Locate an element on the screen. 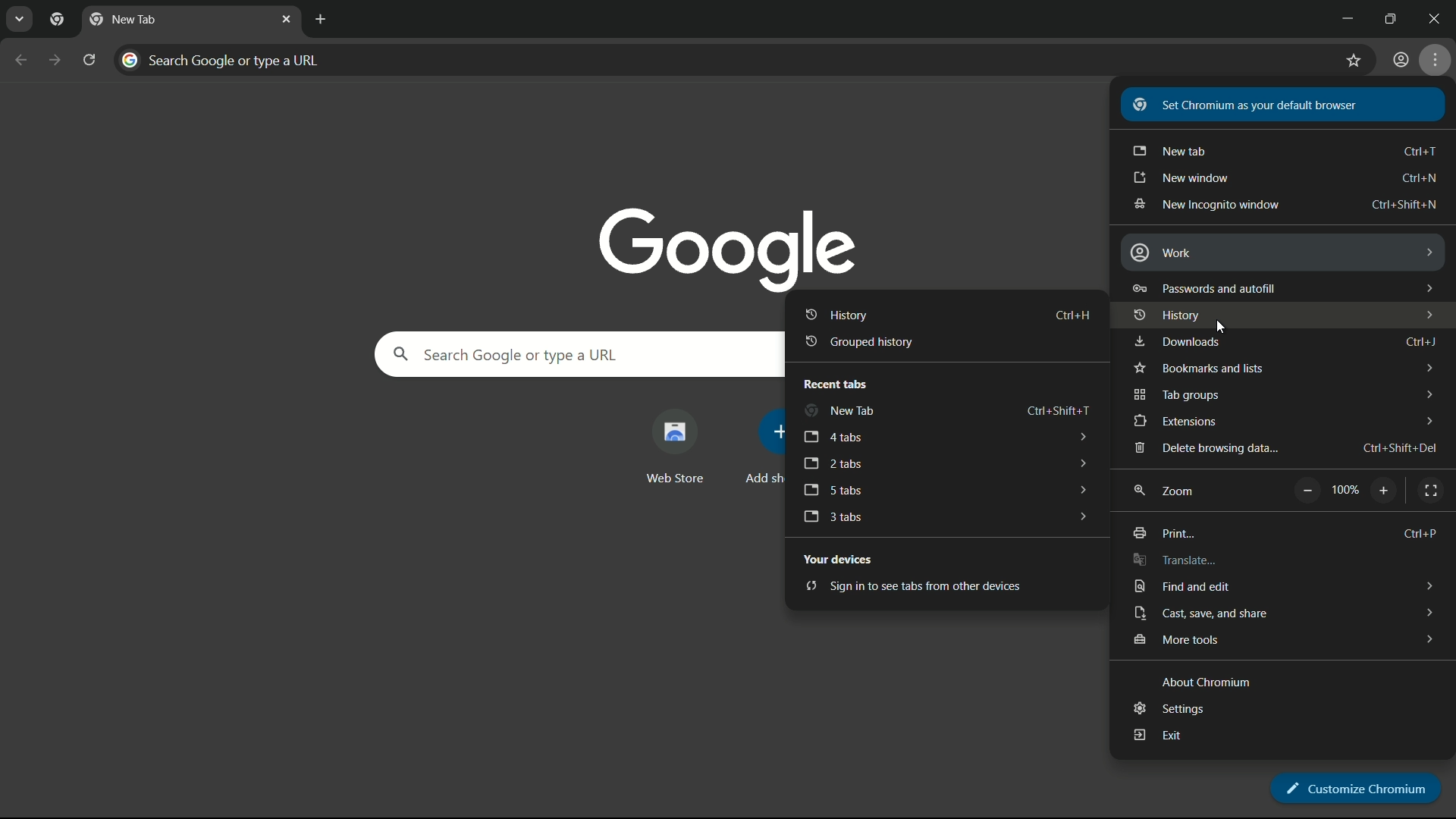  set chromium as your default browser is located at coordinates (1257, 105).